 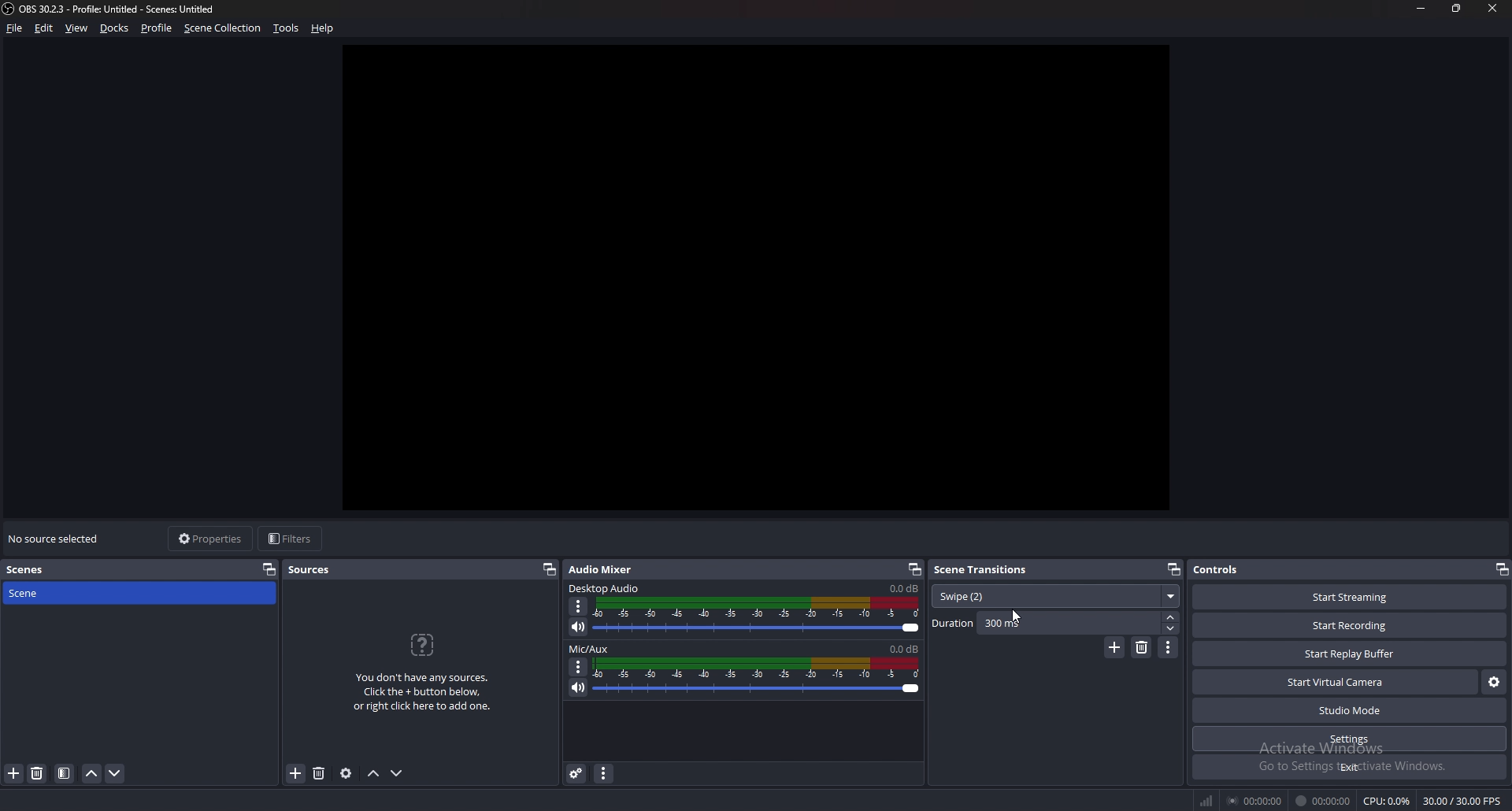 What do you see at coordinates (914, 569) in the screenshot?
I see `pop out` at bounding box center [914, 569].